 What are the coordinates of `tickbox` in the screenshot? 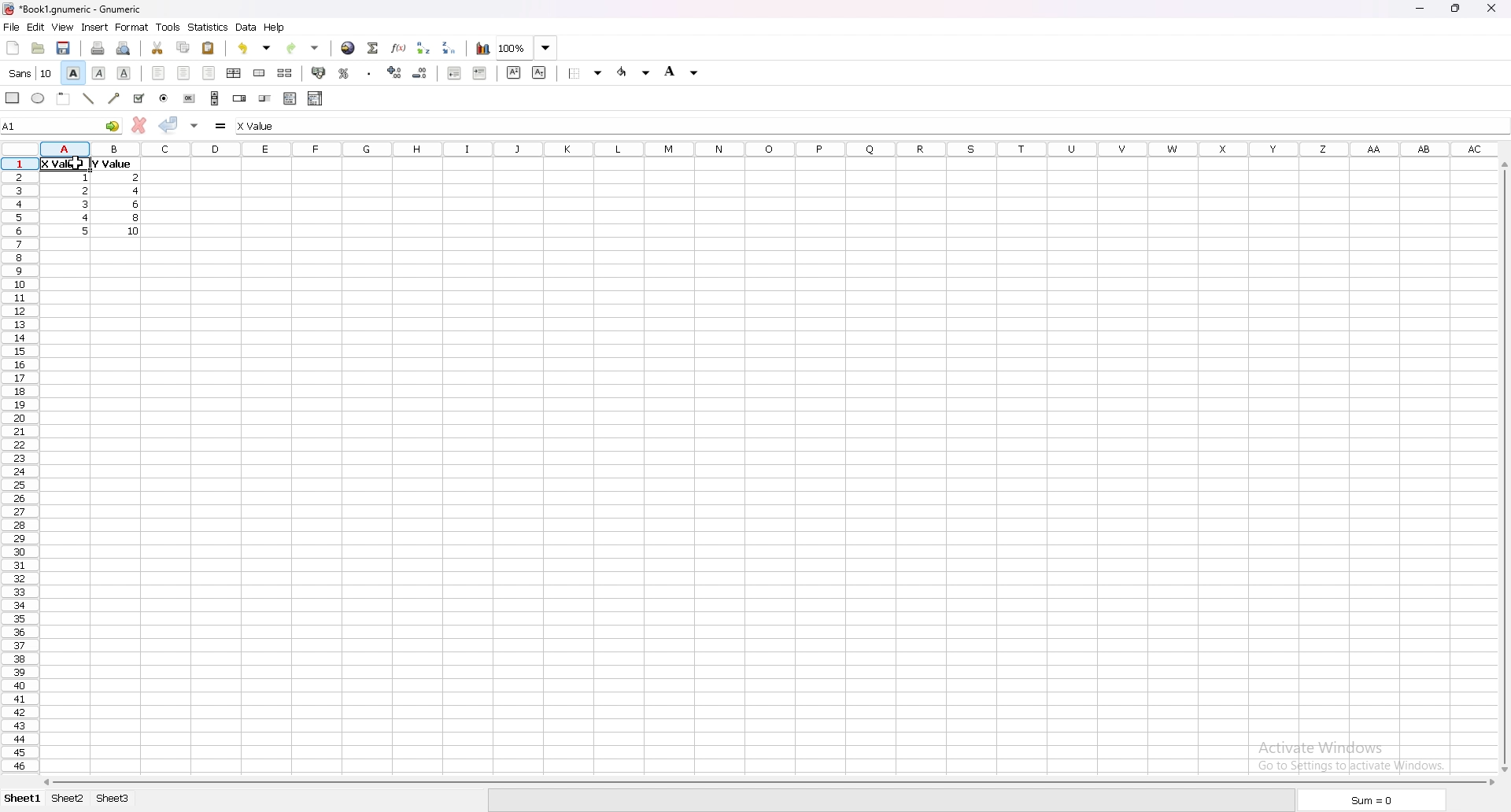 It's located at (138, 98).